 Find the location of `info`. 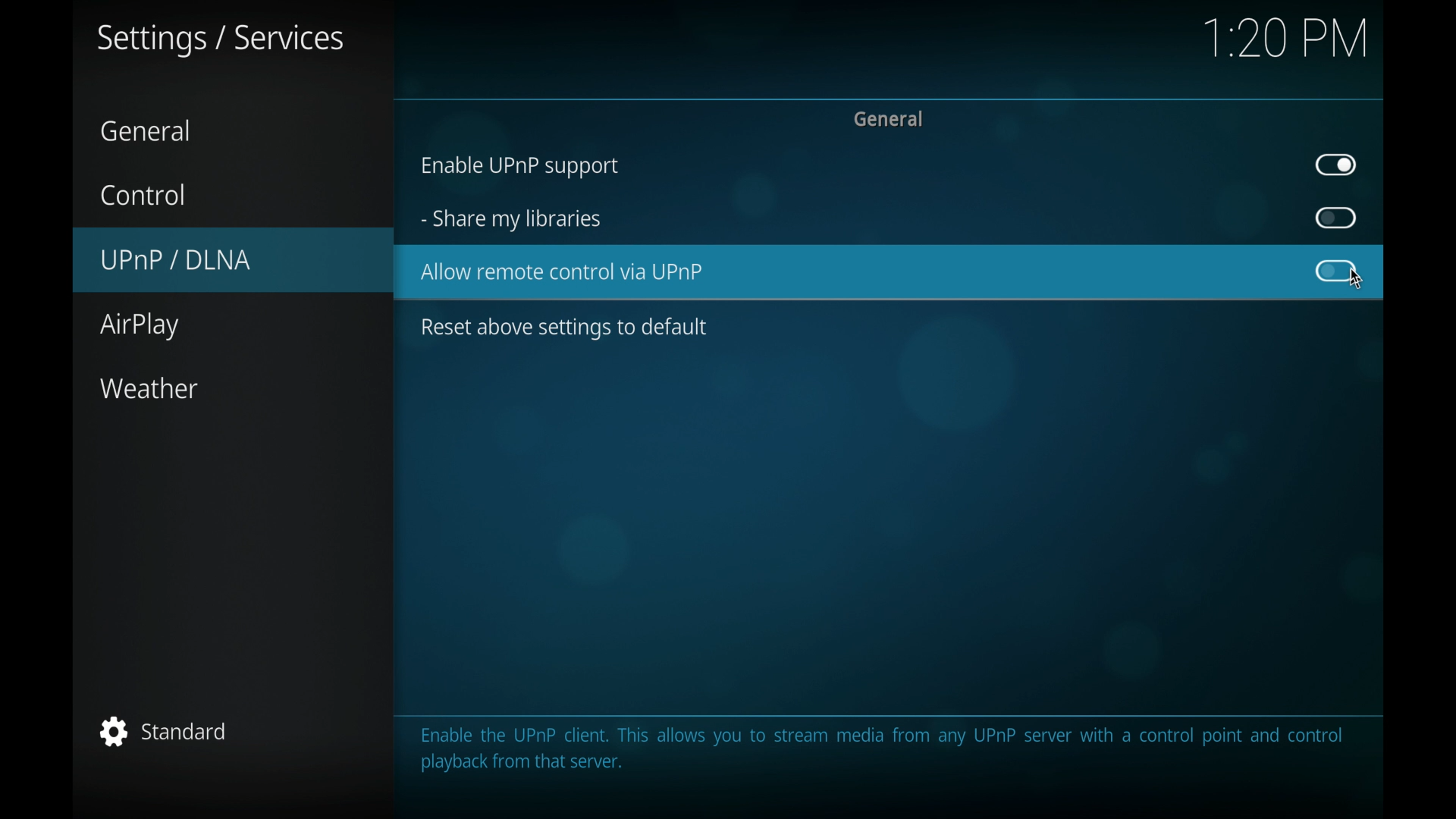

info is located at coordinates (881, 749).